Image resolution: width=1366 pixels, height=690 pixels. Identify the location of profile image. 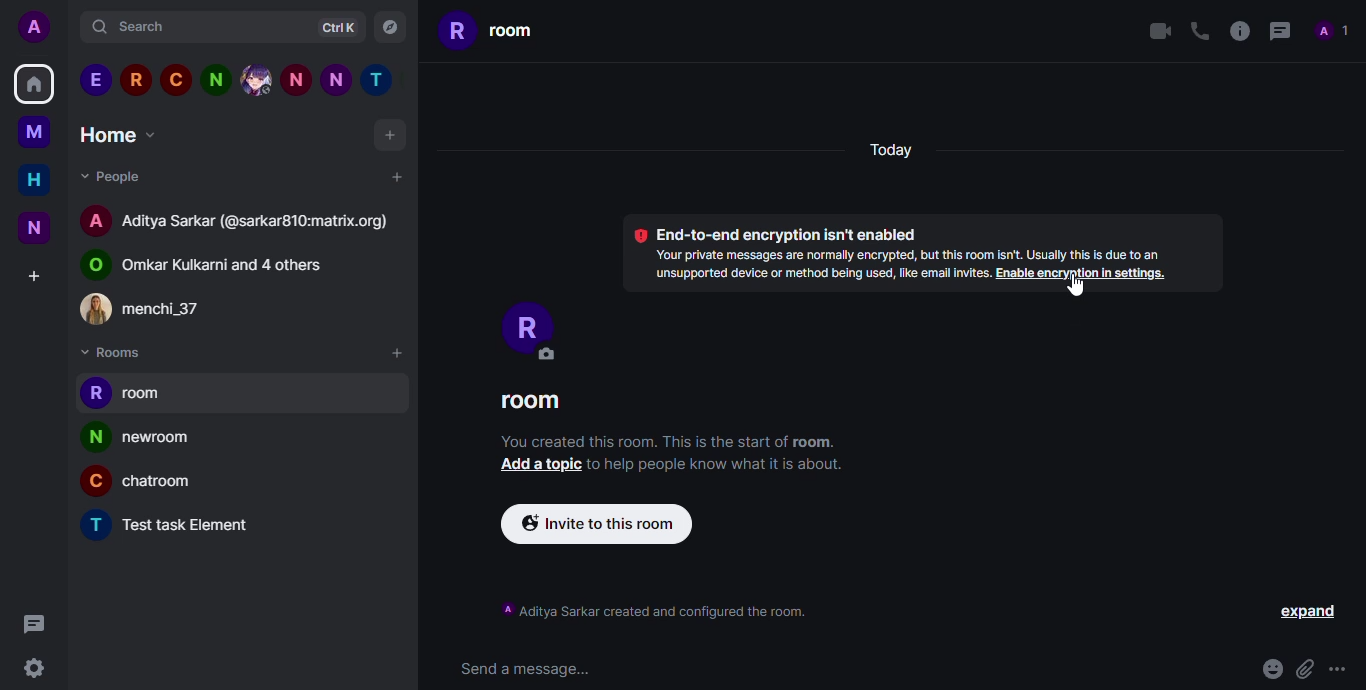
(96, 309).